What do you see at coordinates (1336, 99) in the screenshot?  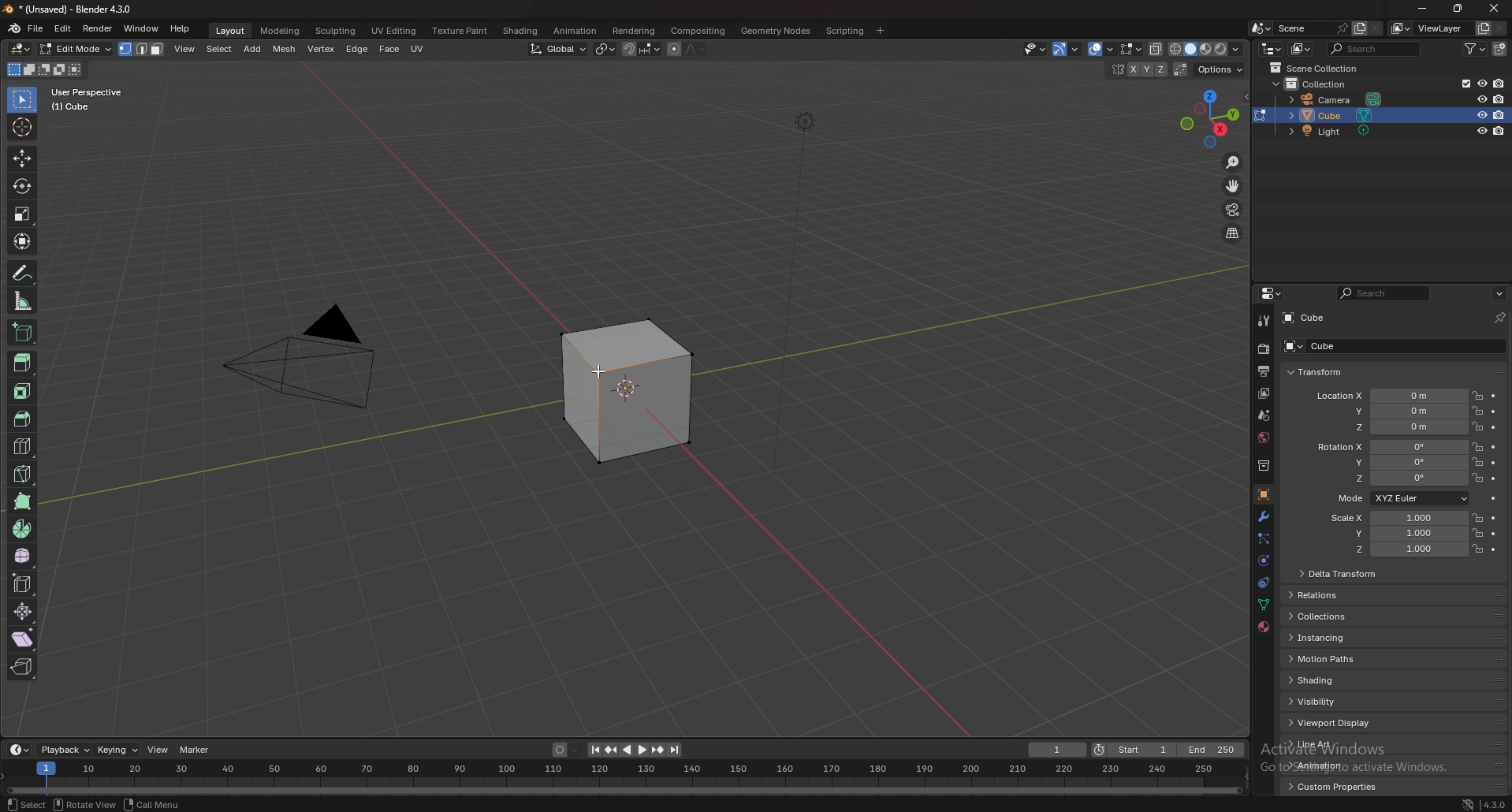 I see `camera` at bounding box center [1336, 99].